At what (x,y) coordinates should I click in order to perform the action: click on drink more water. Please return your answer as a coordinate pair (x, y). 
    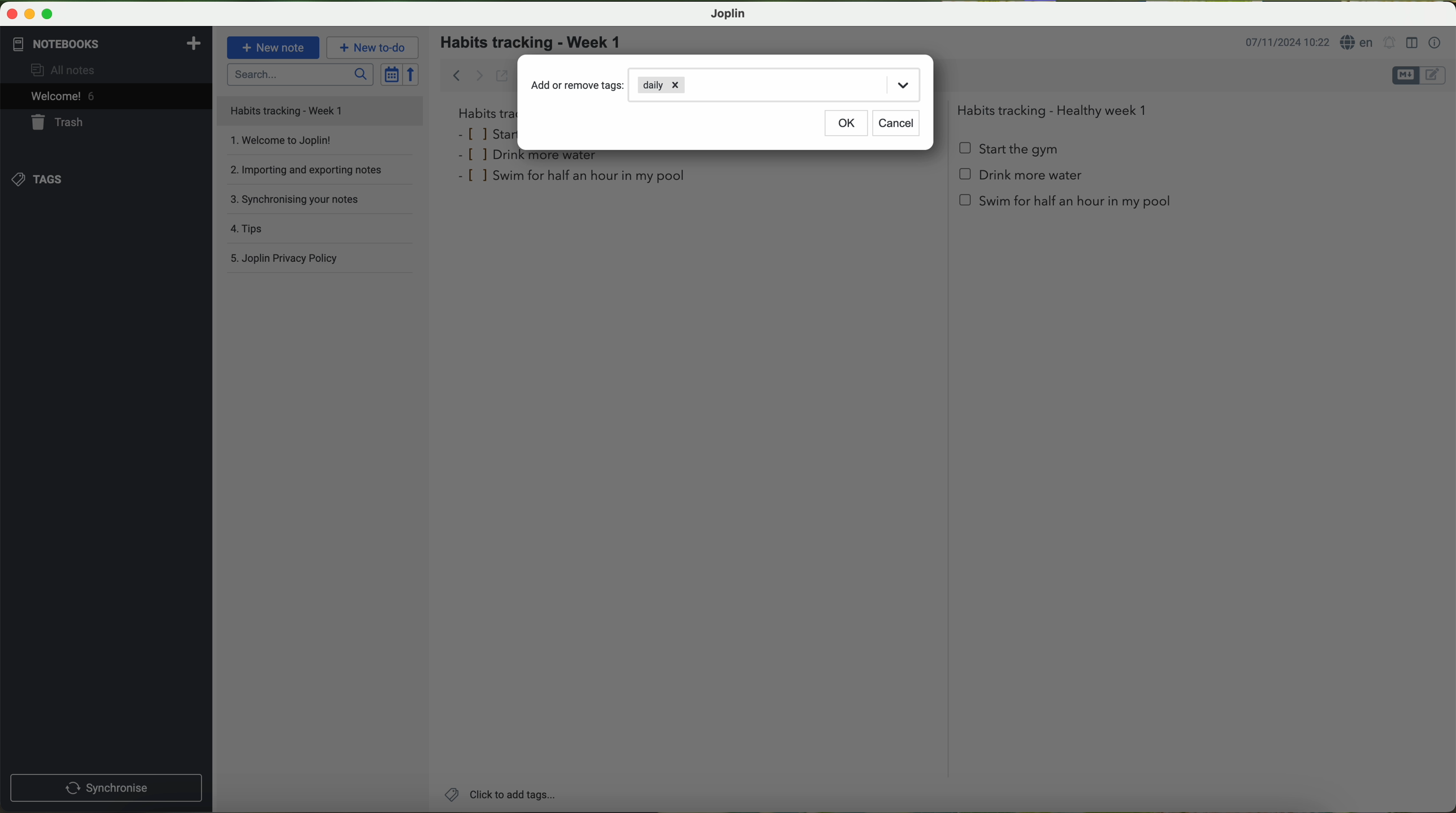
    Looking at the image, I should click on (533, 158).